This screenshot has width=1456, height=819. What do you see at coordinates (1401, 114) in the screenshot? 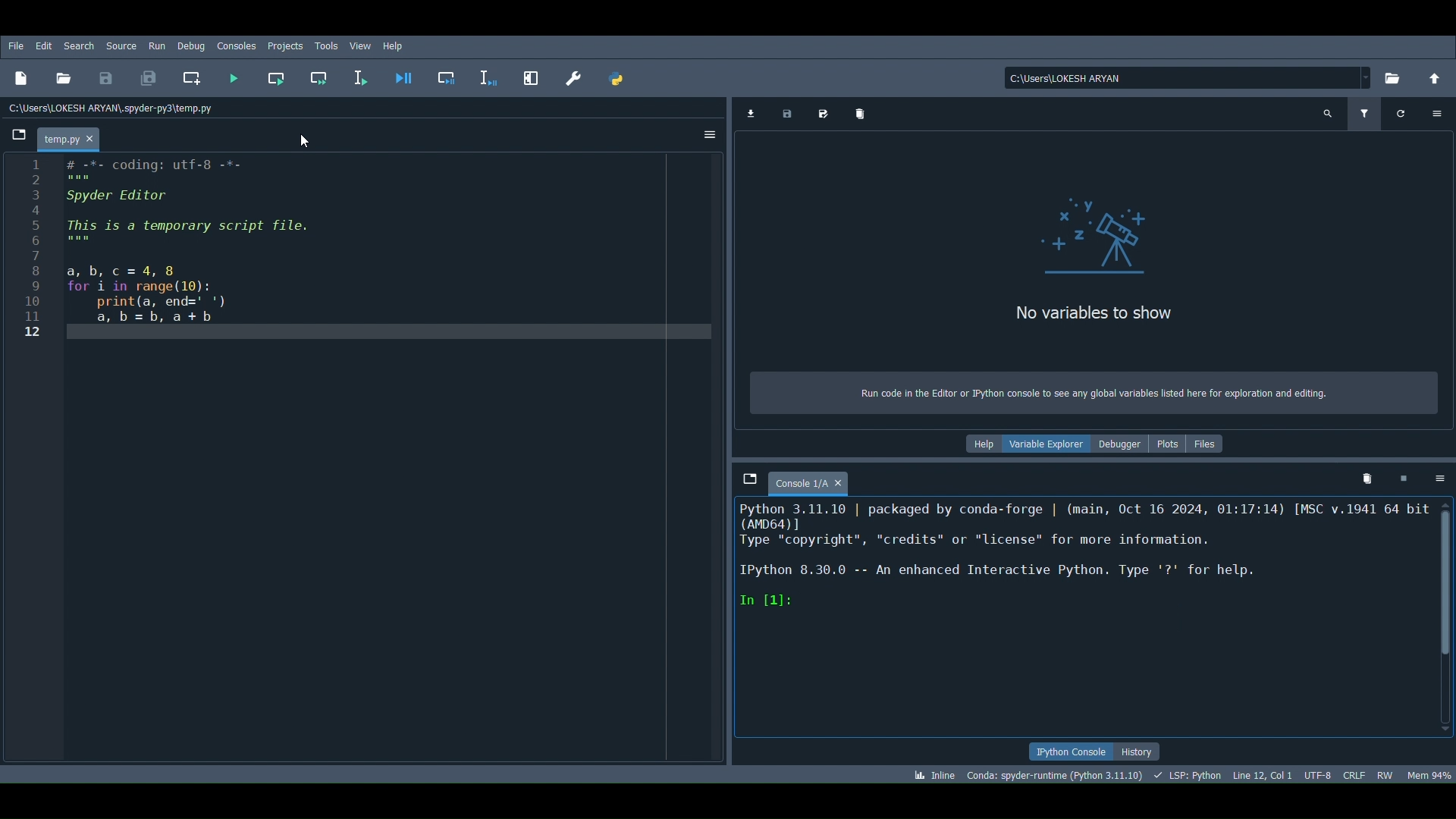
I see `Refresh variables (Ctrl + R)` at bounding box center [1401, 114].